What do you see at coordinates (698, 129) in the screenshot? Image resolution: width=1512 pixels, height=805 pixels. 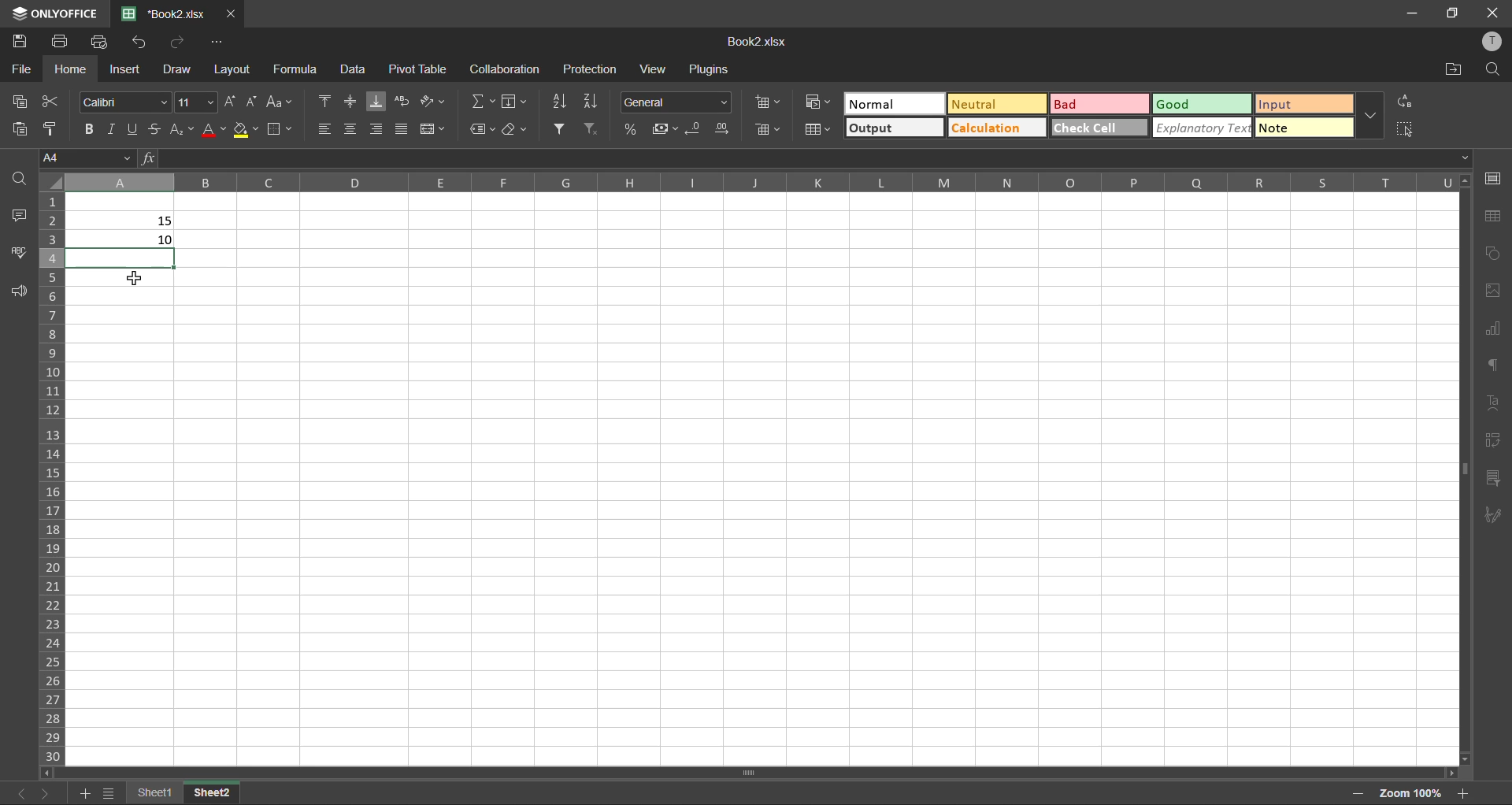 I see `decrease decimal` at bounding box center [698, 129].